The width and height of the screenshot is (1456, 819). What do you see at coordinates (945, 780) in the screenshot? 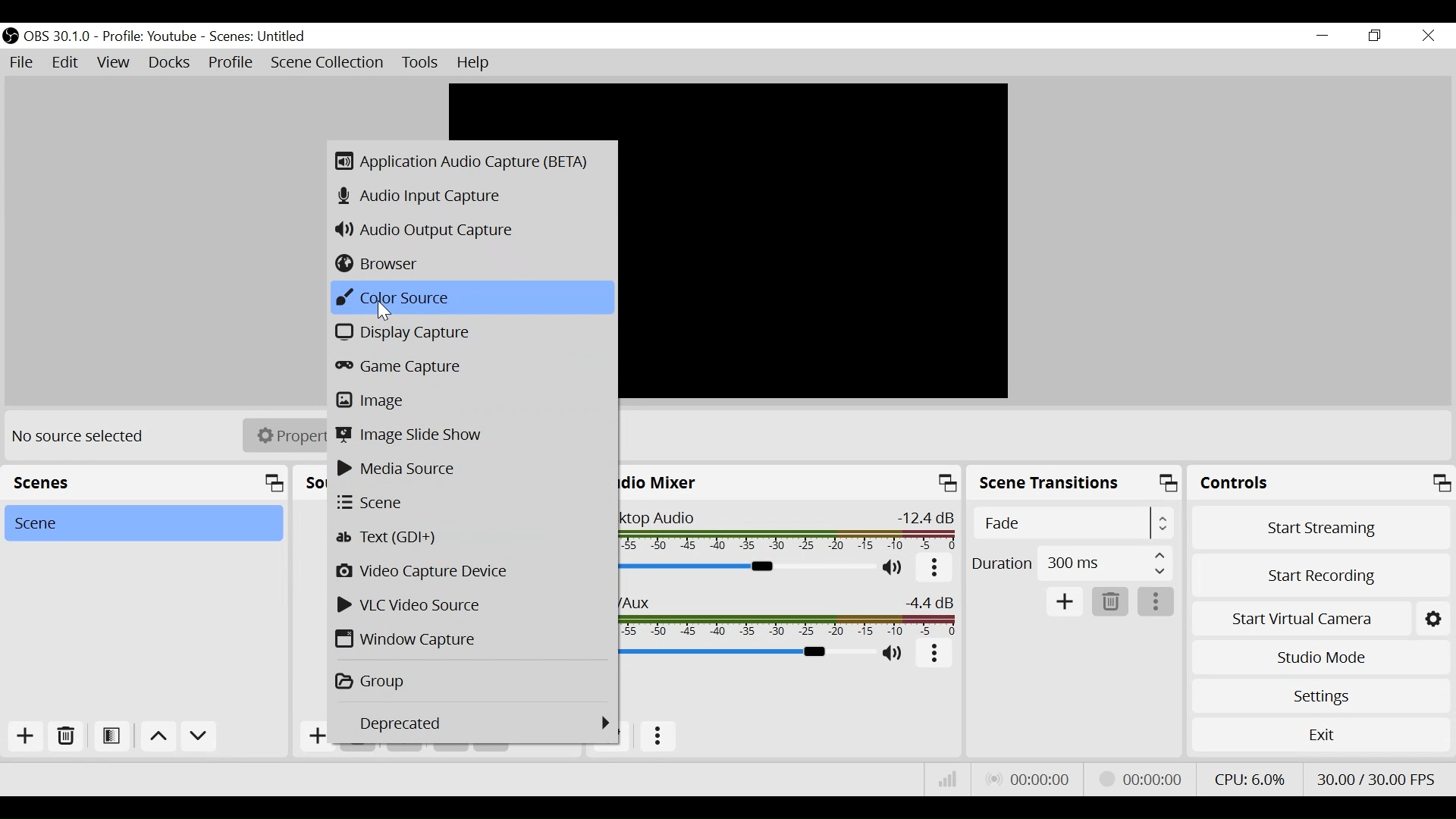
I see `Bitrate` at bounding box center [945, 780].